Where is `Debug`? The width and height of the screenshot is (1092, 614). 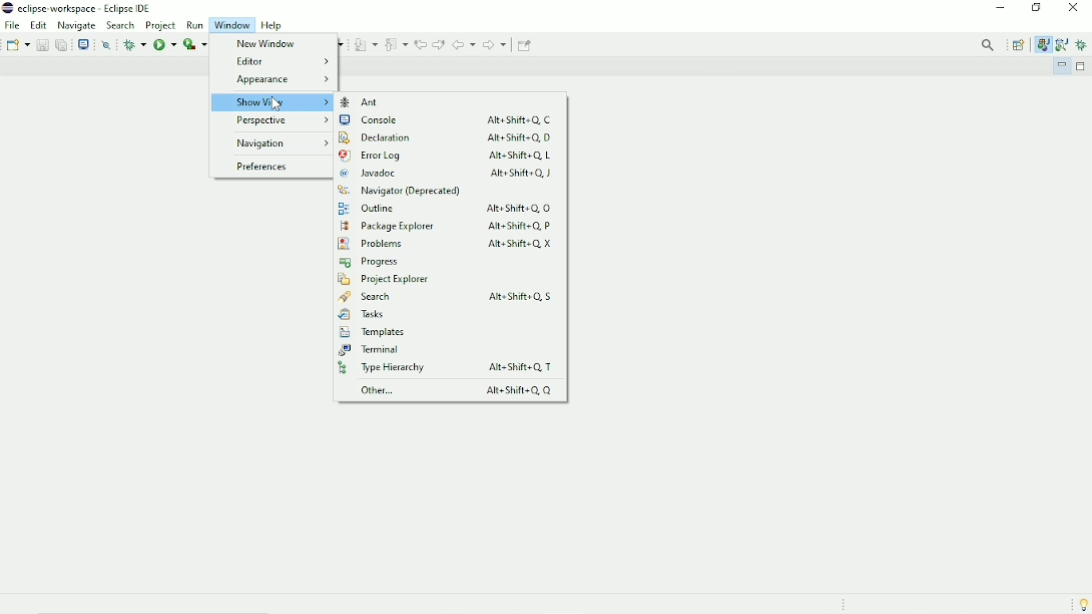 Debug is located at coordinates (134, 44).